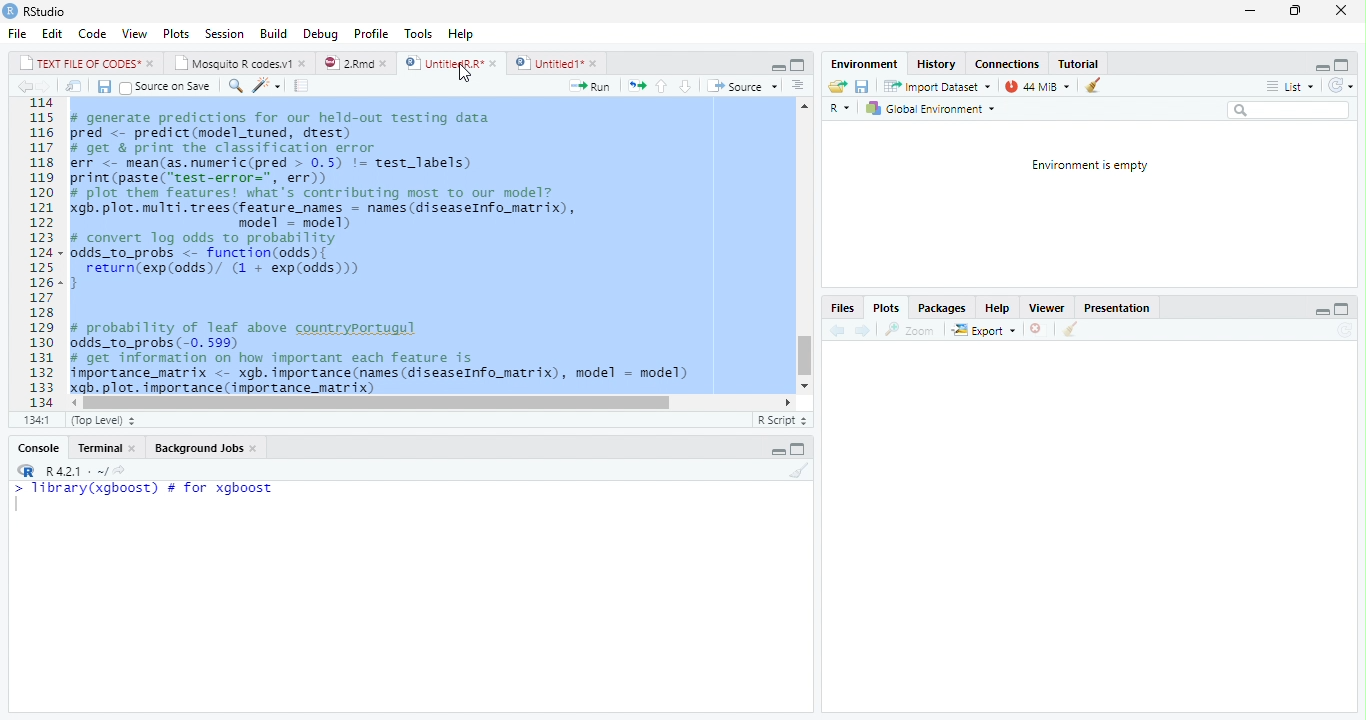 This screenshot has width=1366, height=720. Describe the element at coordinates (119, 469) in the screenshot. I see `Show directory` at that location.